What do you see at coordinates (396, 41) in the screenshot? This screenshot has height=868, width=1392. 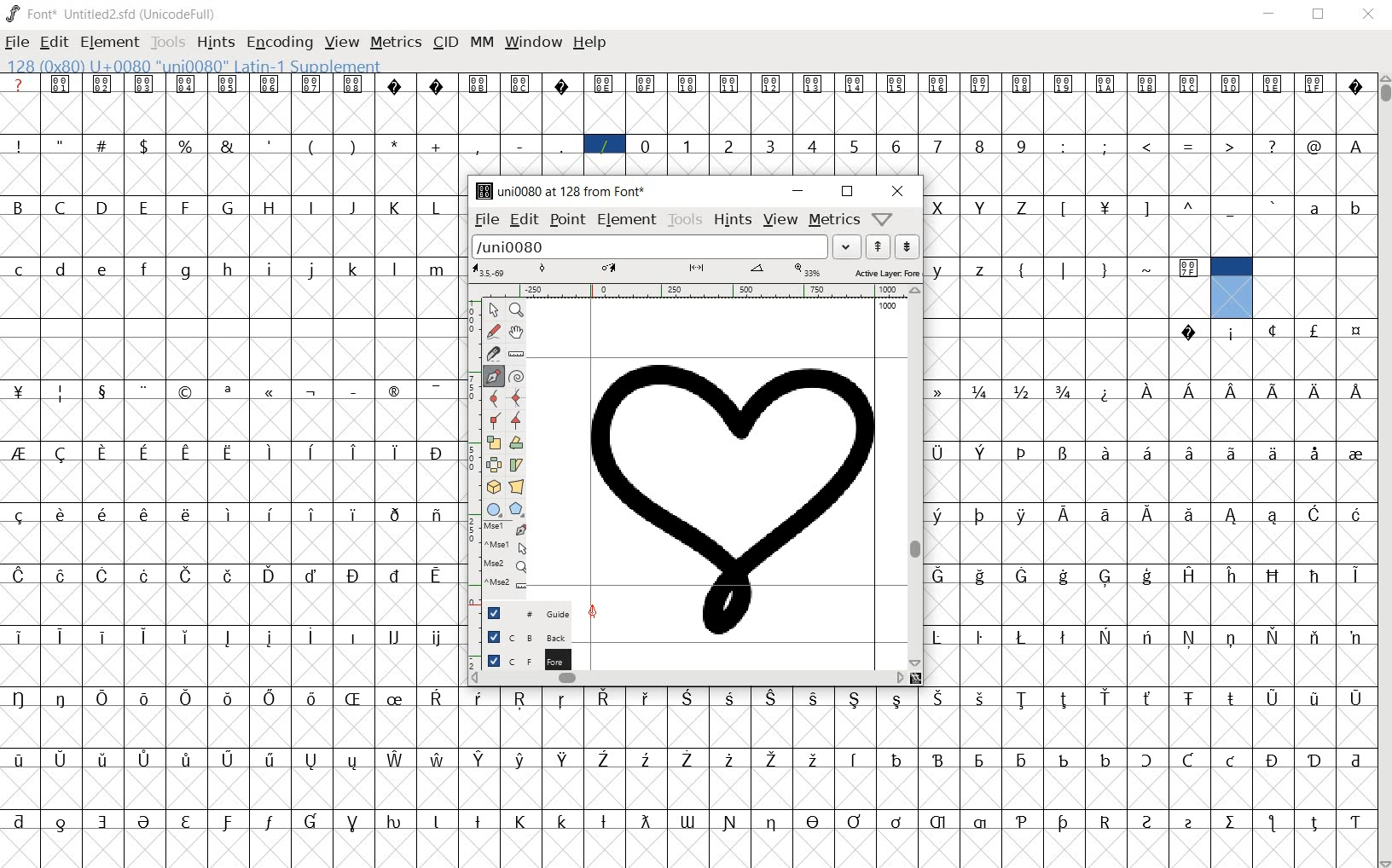 I see `METRICS` at bounding box center [396, 41].